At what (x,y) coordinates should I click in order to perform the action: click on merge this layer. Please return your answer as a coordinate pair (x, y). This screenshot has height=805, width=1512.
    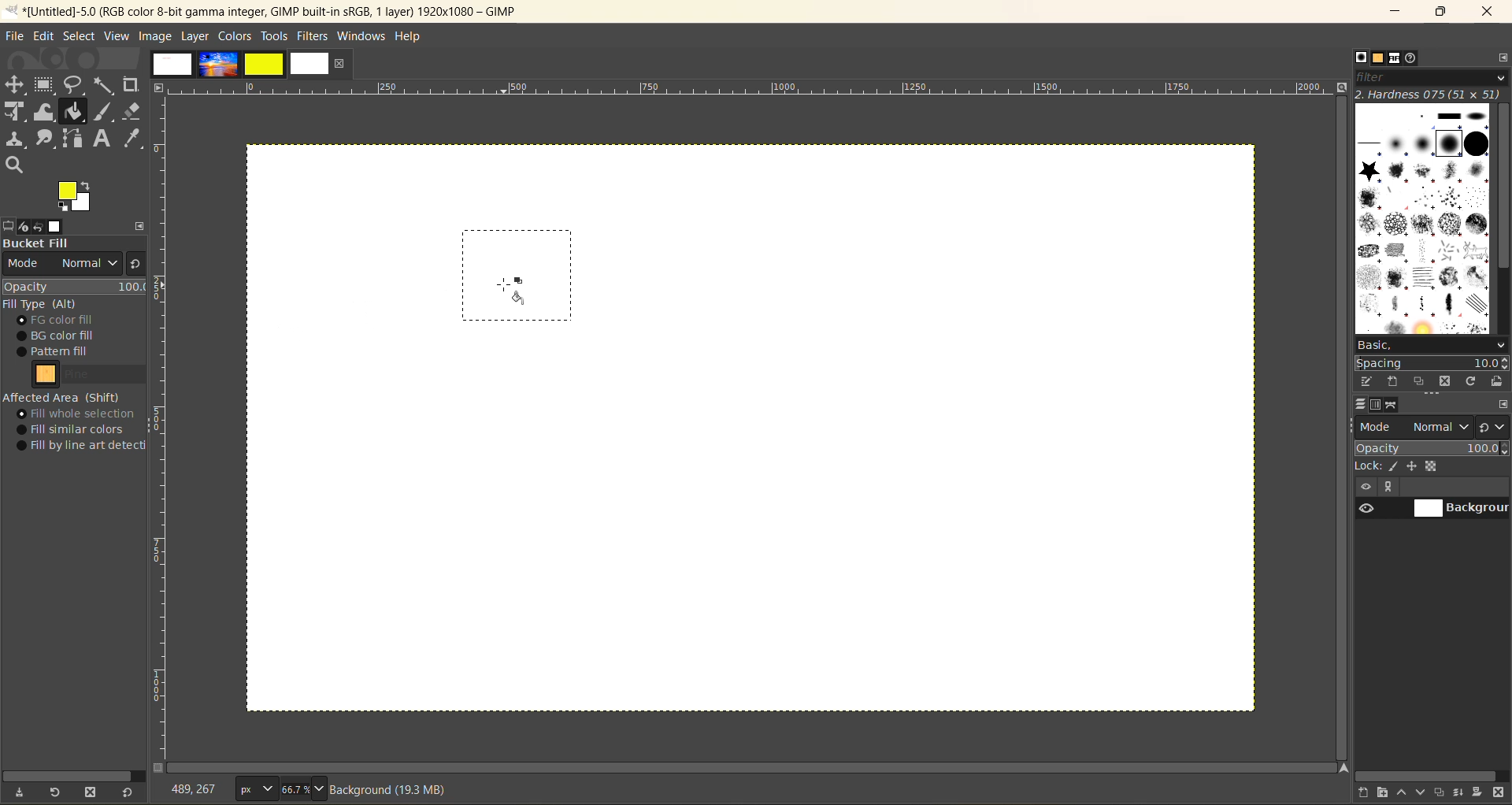
    Looking at the image, I should click on (1463, 792).